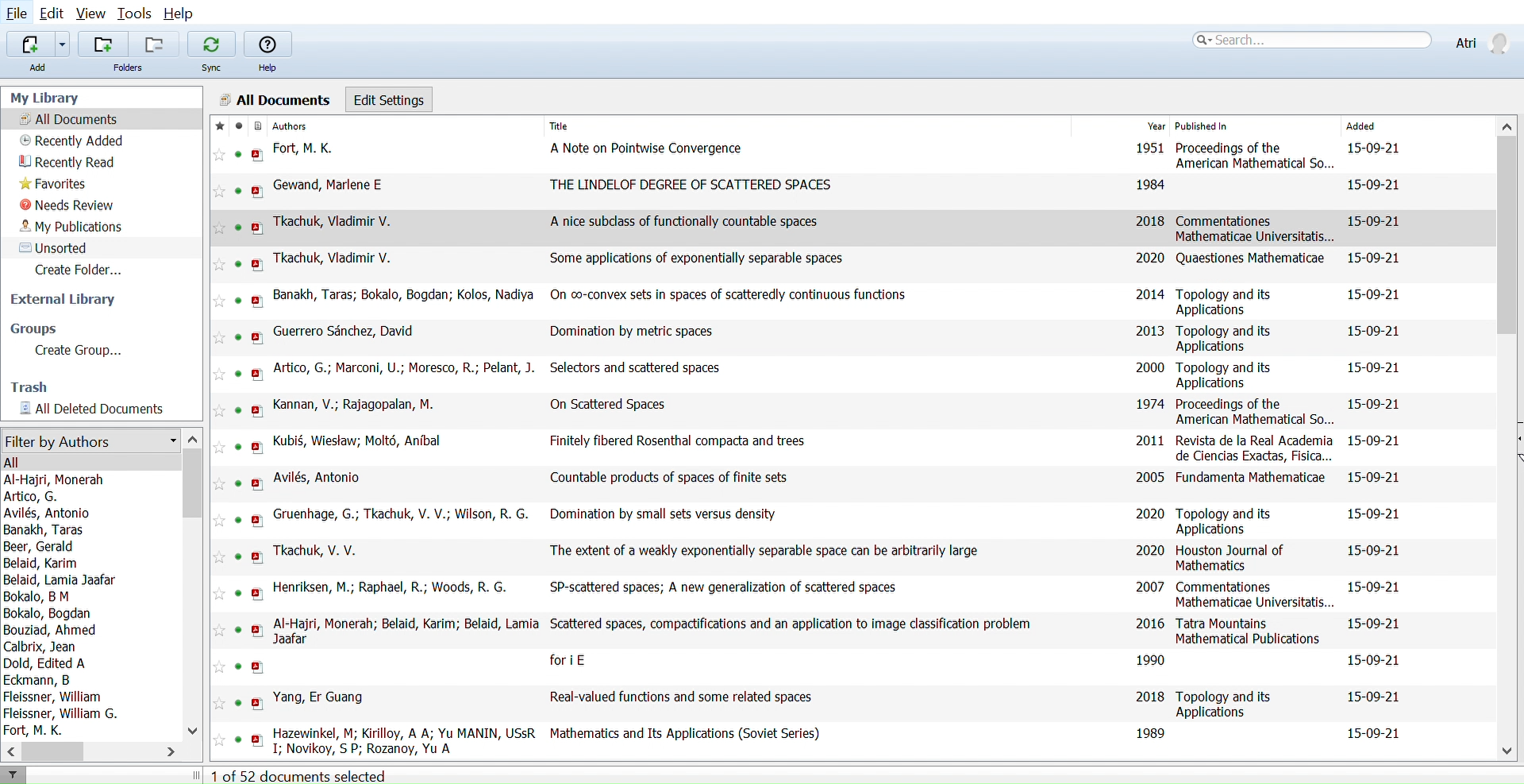 This screenshot has height=784, width=1524. What do you see at coordinates (256, 264) in the screenshot?
I see `open PDF` at bounding box center [256, 264].